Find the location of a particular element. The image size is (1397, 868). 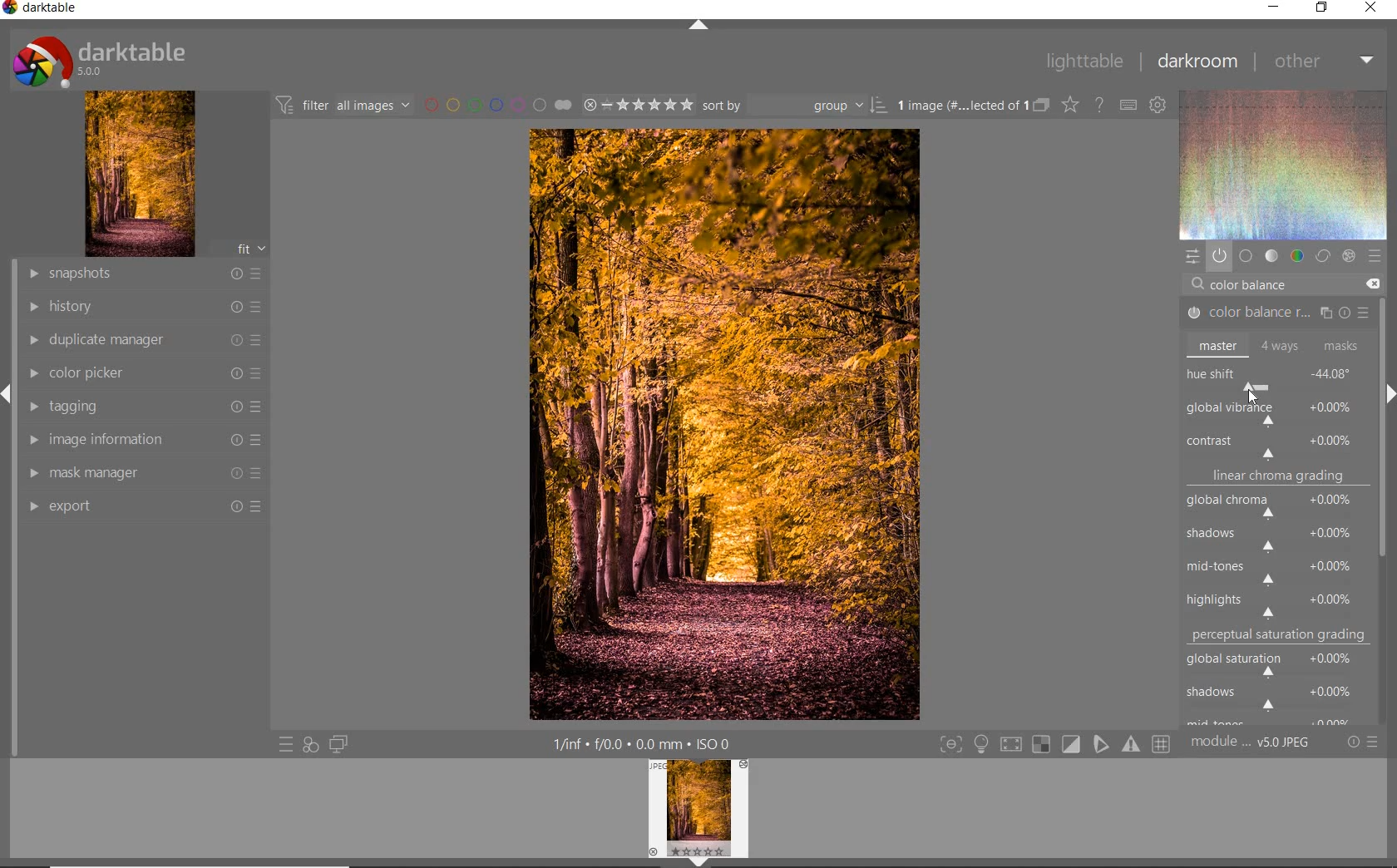

define keyboard shortcut is located at coordinates (1128, 106).